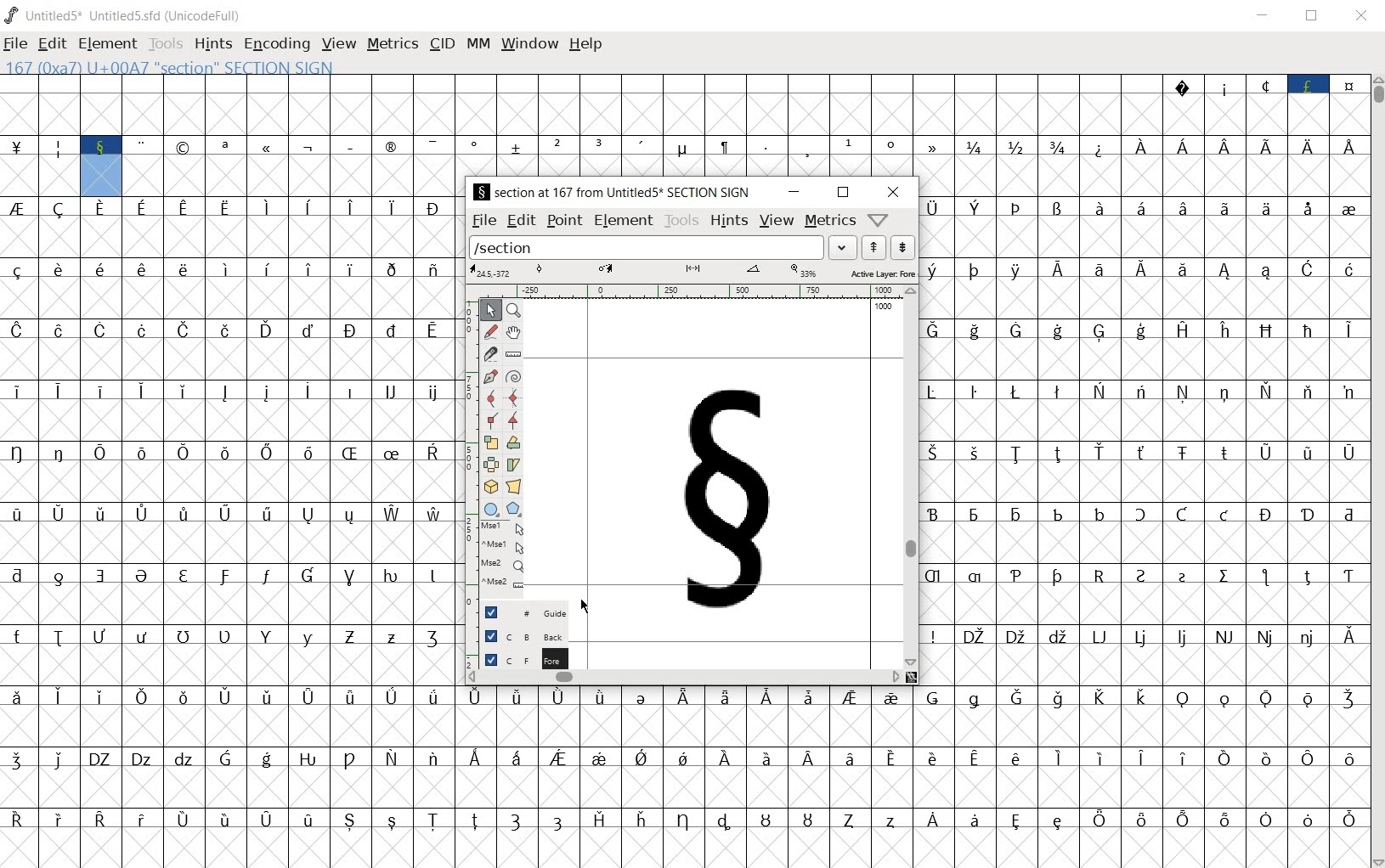  What do you see at coordinates (679, 679) in the screenshot?
I see `scrollbar` at bounding box center [679, 679].